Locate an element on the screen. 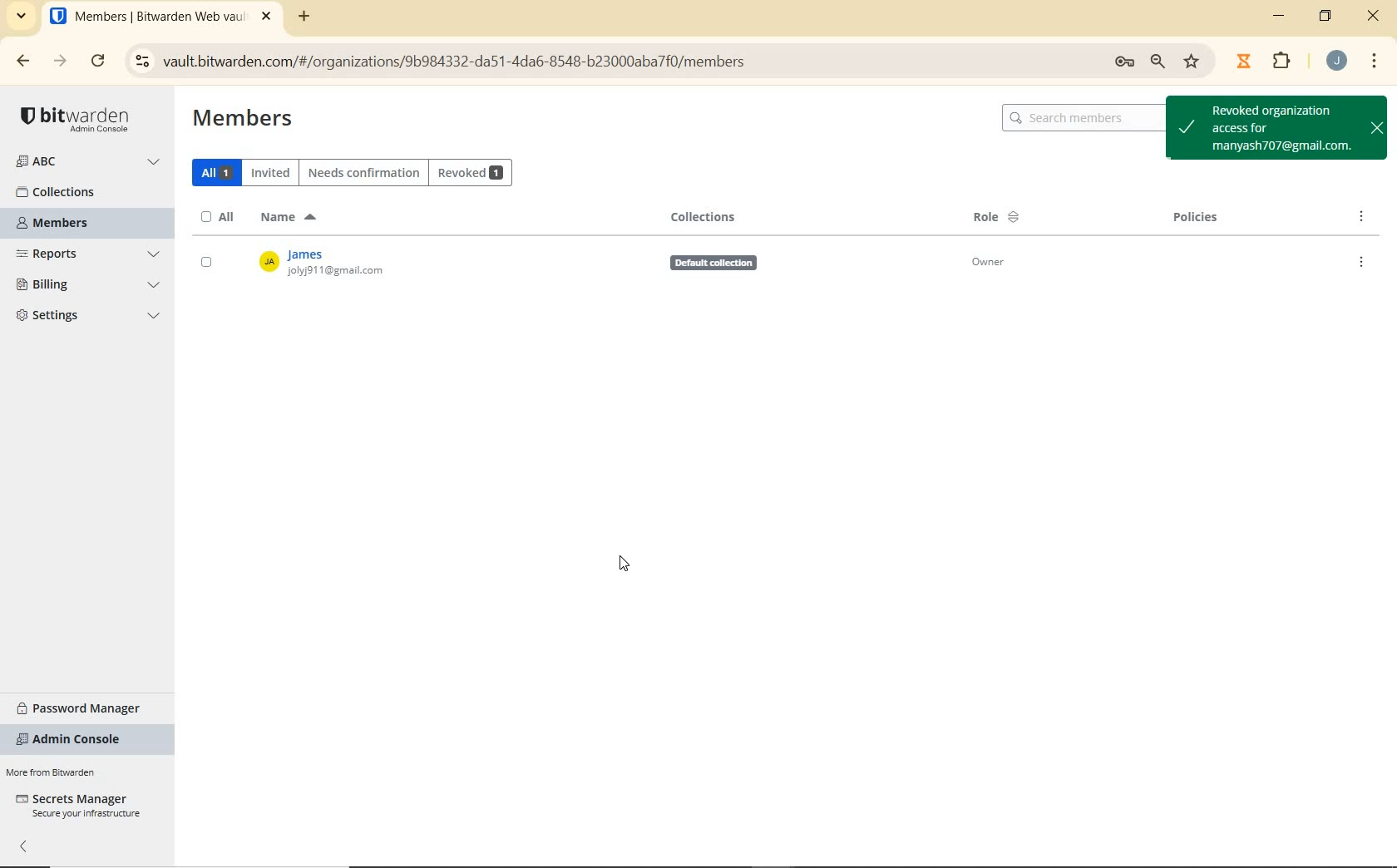  ADD TAB is located at coordinates (301, 18).